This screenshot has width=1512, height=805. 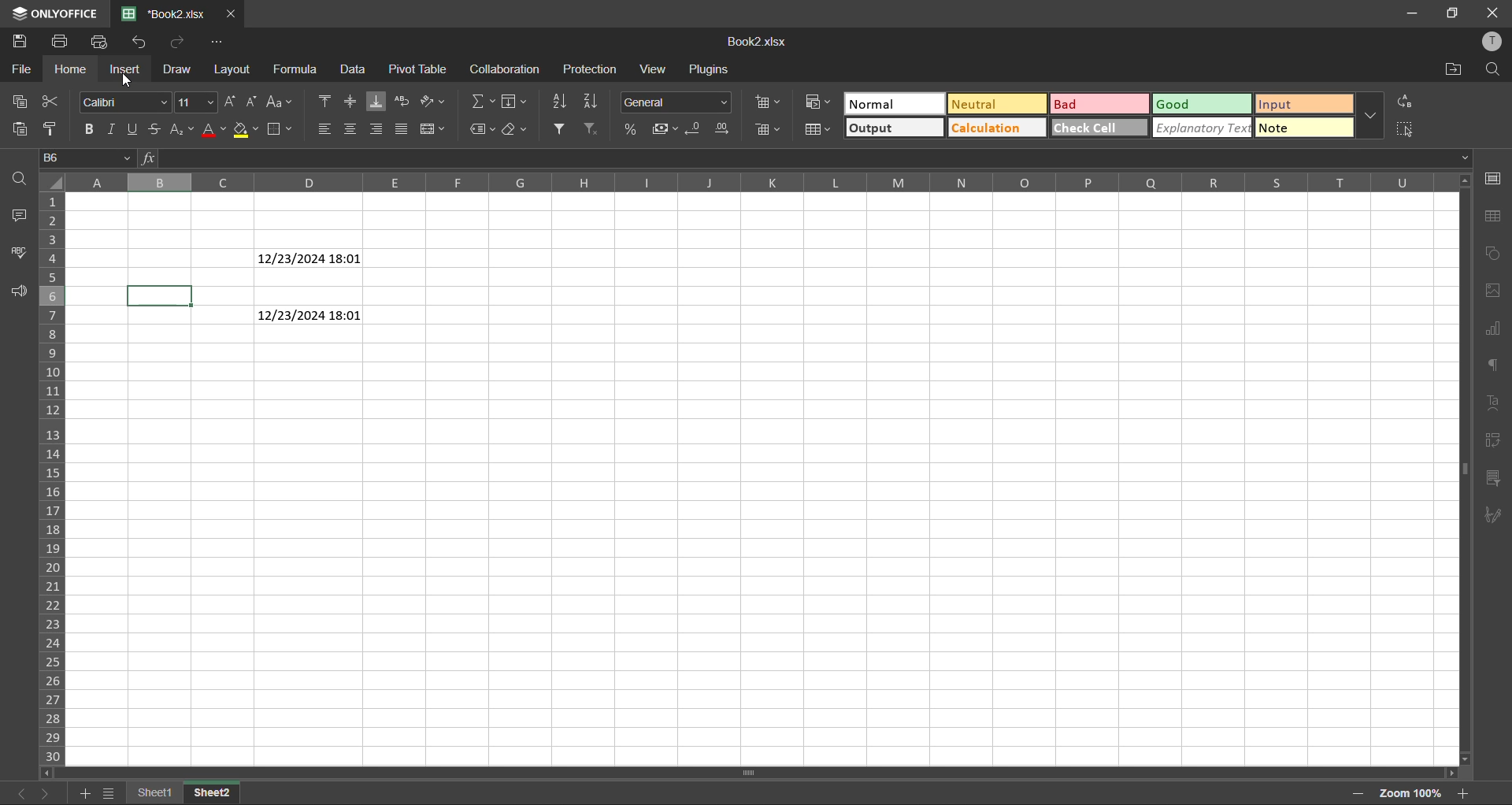 I want to click on open location, so click(x=1451, y=71).